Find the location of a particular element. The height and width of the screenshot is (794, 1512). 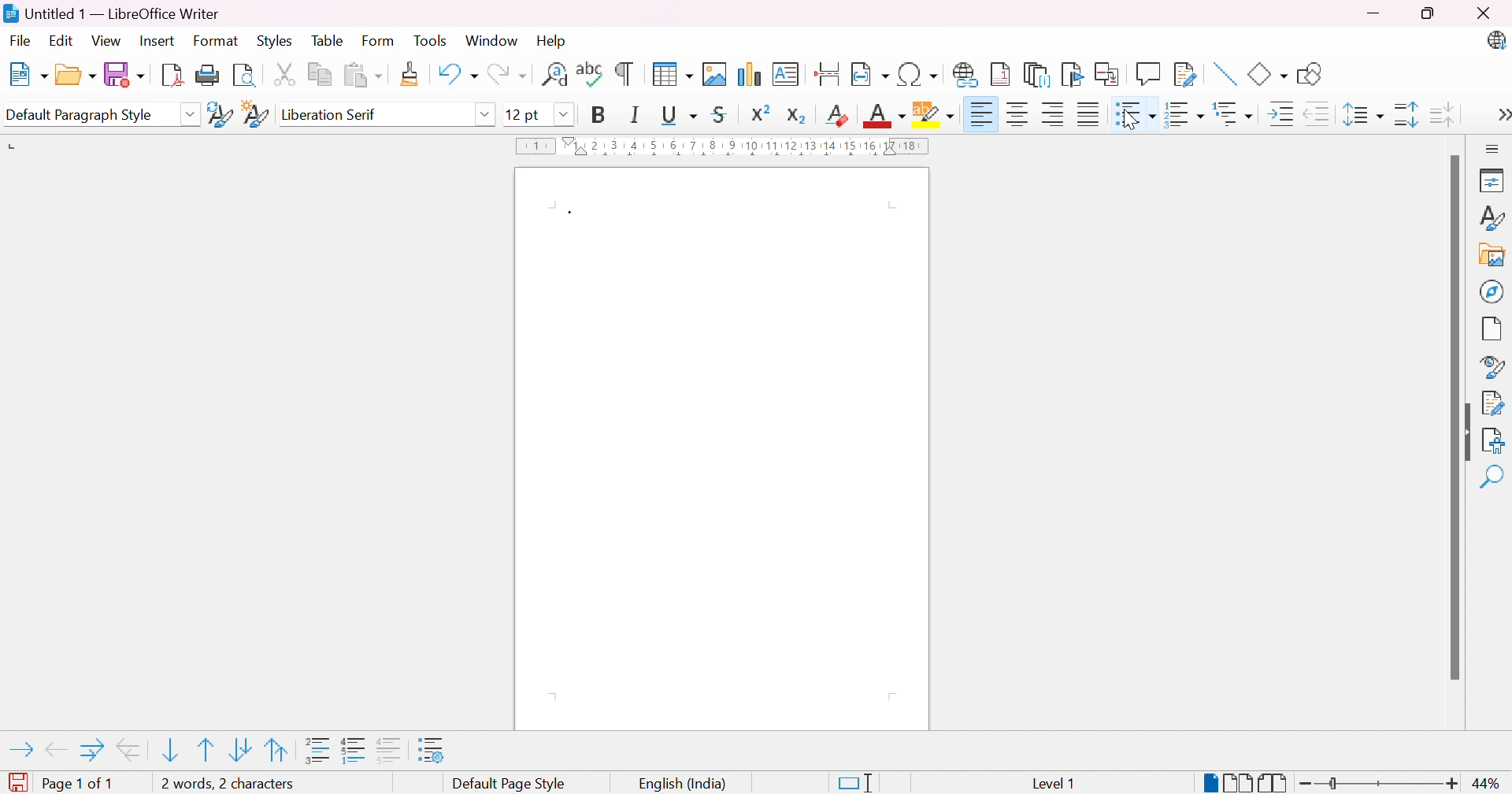

Insert footnote is located at coordinates (998, 75).